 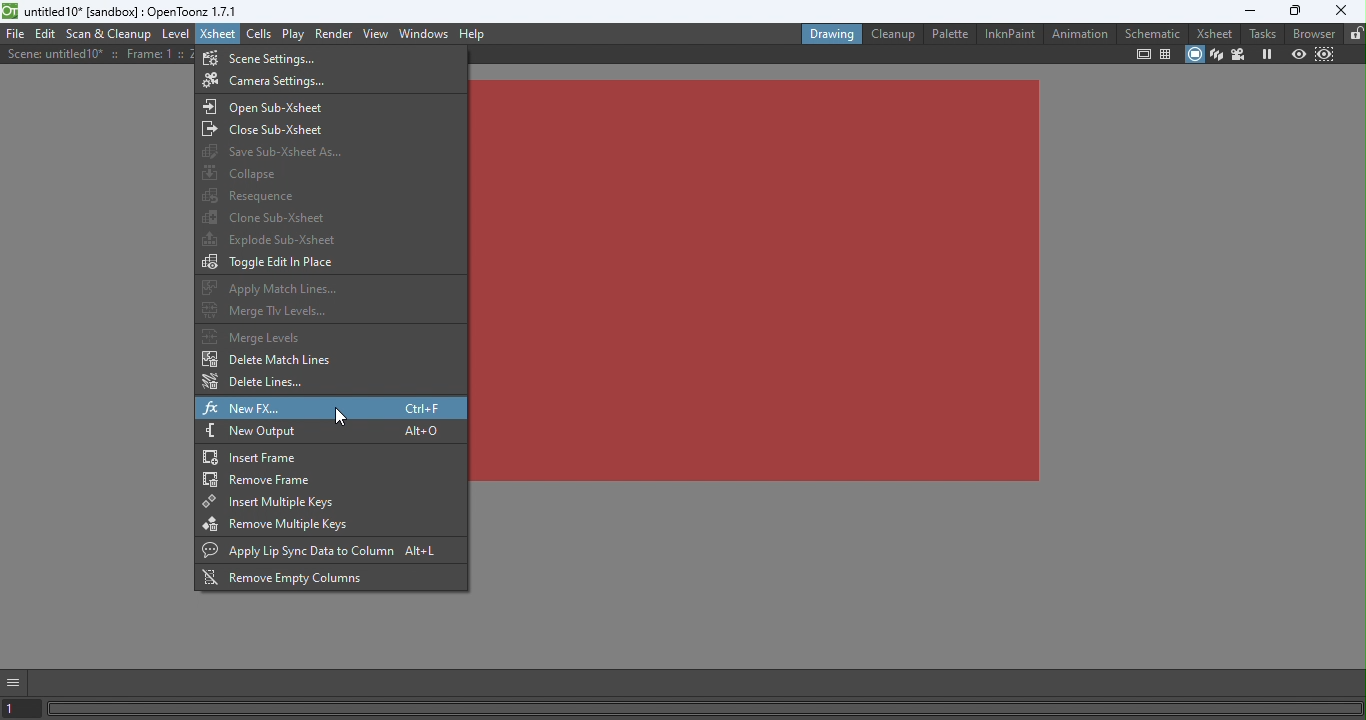 What do you see at coordinates (265, 57) in the screenshot?
I see `Scene settings` at bounding box center [265, 57].